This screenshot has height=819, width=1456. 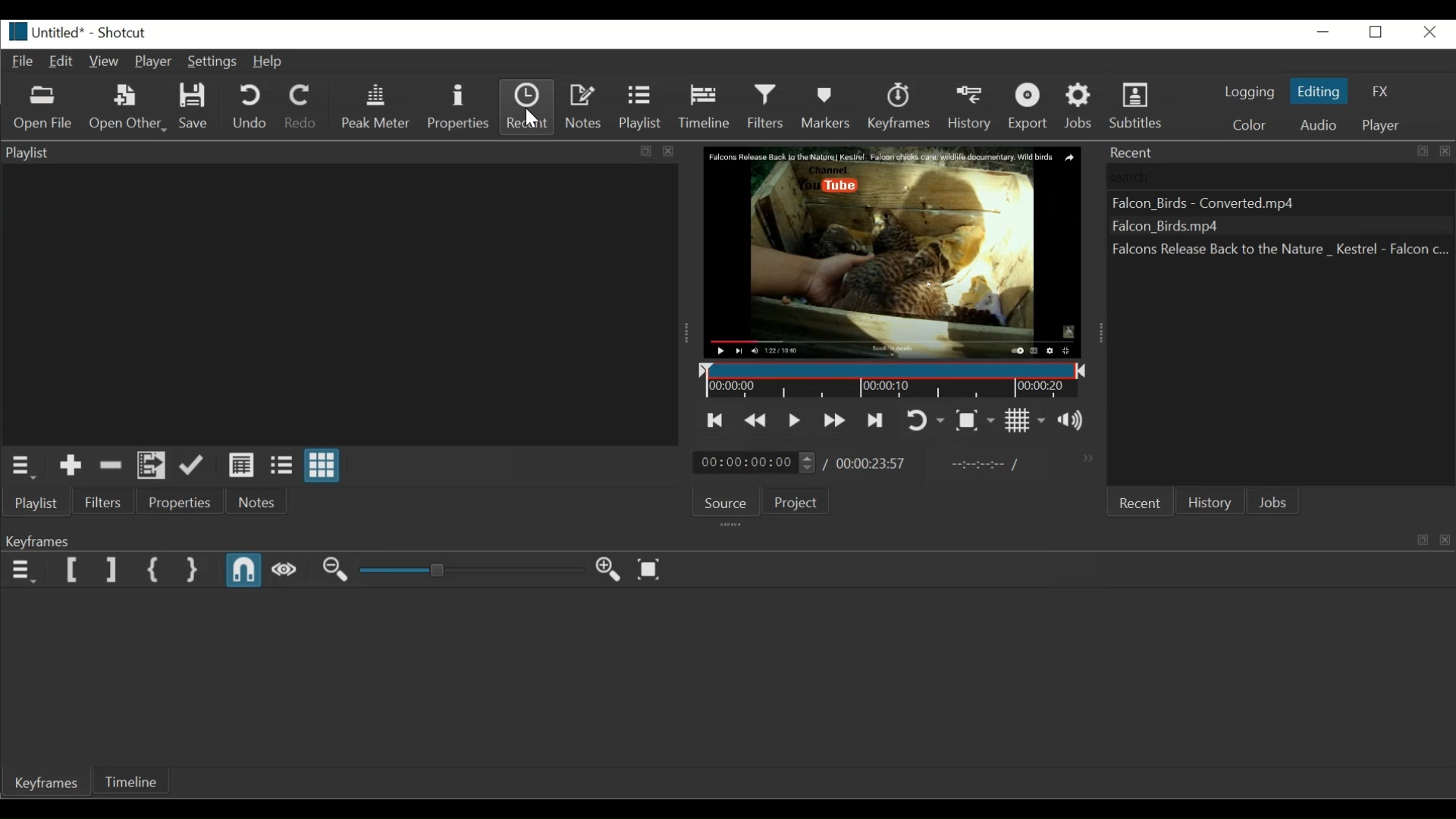 I want to click on Source, so click(x=725, y=502).